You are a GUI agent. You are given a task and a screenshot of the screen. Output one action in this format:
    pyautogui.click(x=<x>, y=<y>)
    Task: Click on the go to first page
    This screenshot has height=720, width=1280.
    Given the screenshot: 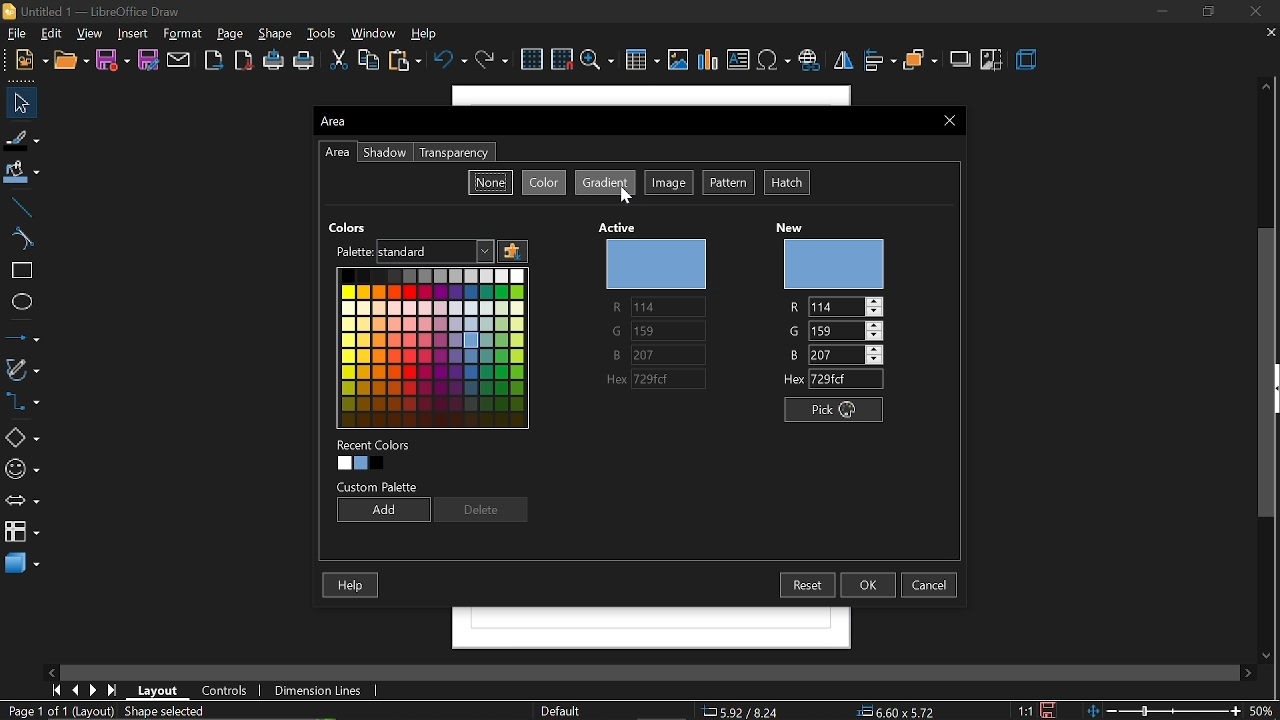 What is the action you would take?
    pyautogui.click(x=56, y=690)
    